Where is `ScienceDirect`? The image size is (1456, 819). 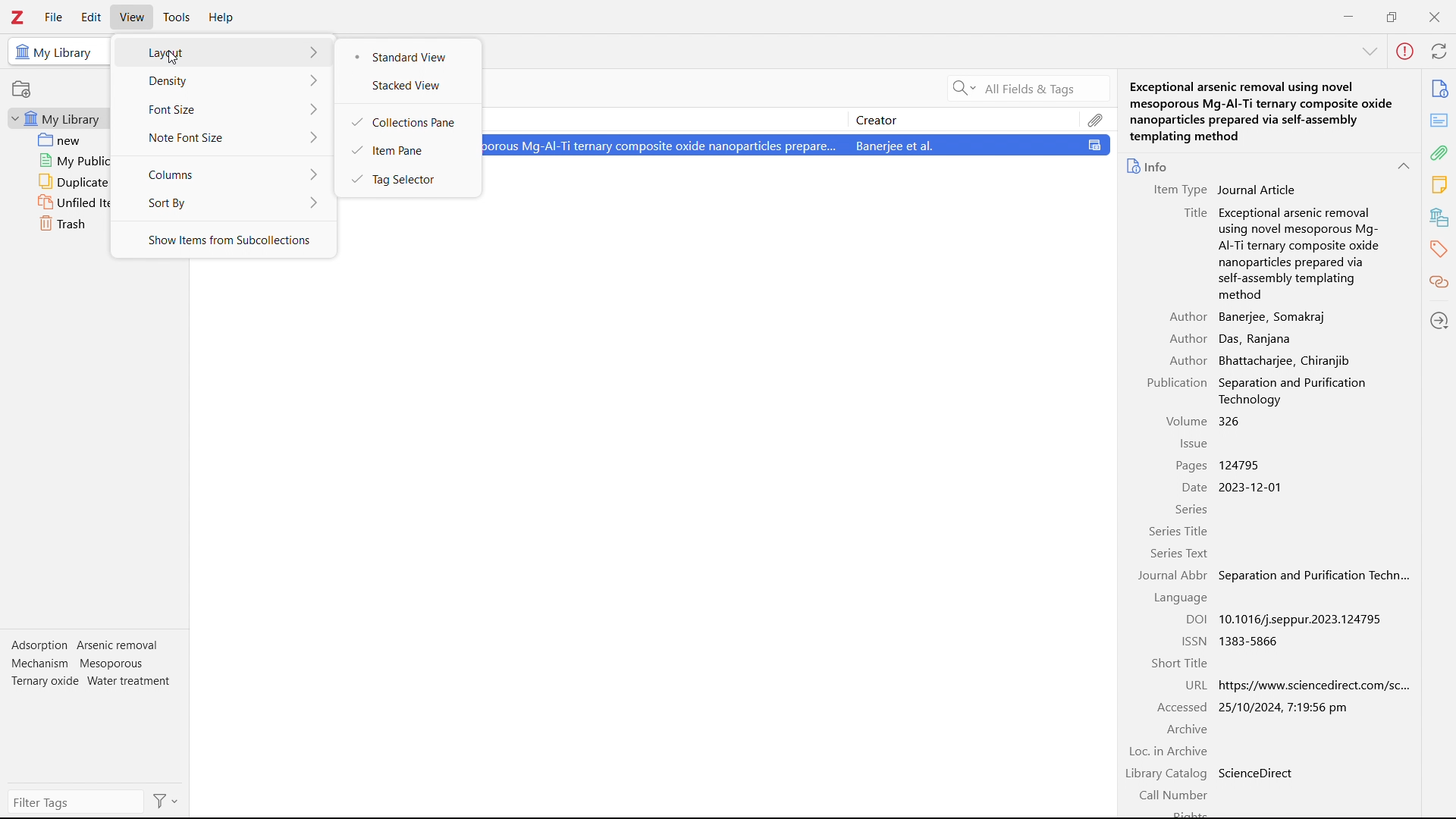
ScienceDirect is located at coordinates (1256, 772).